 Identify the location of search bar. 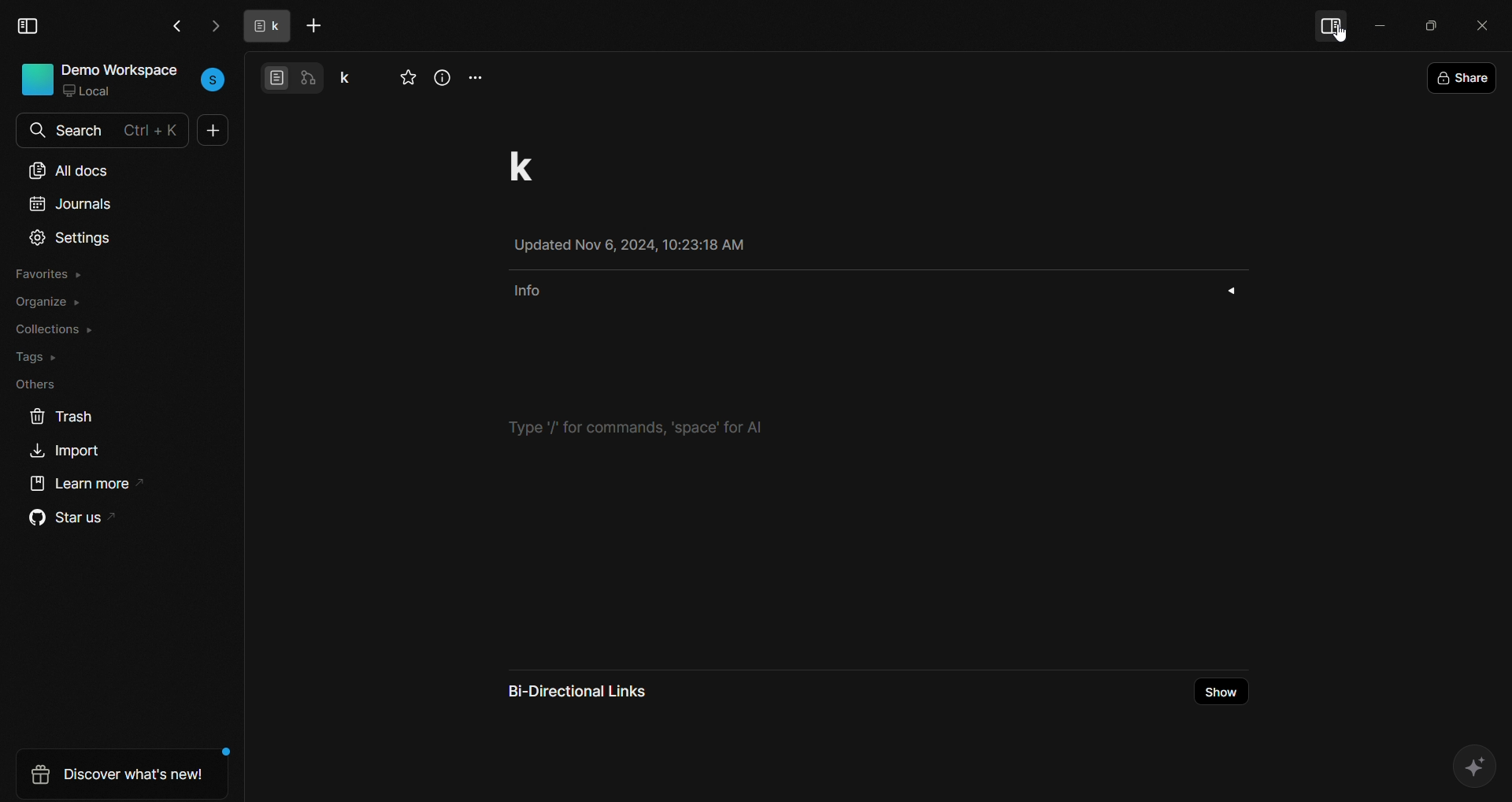
(115, 127).